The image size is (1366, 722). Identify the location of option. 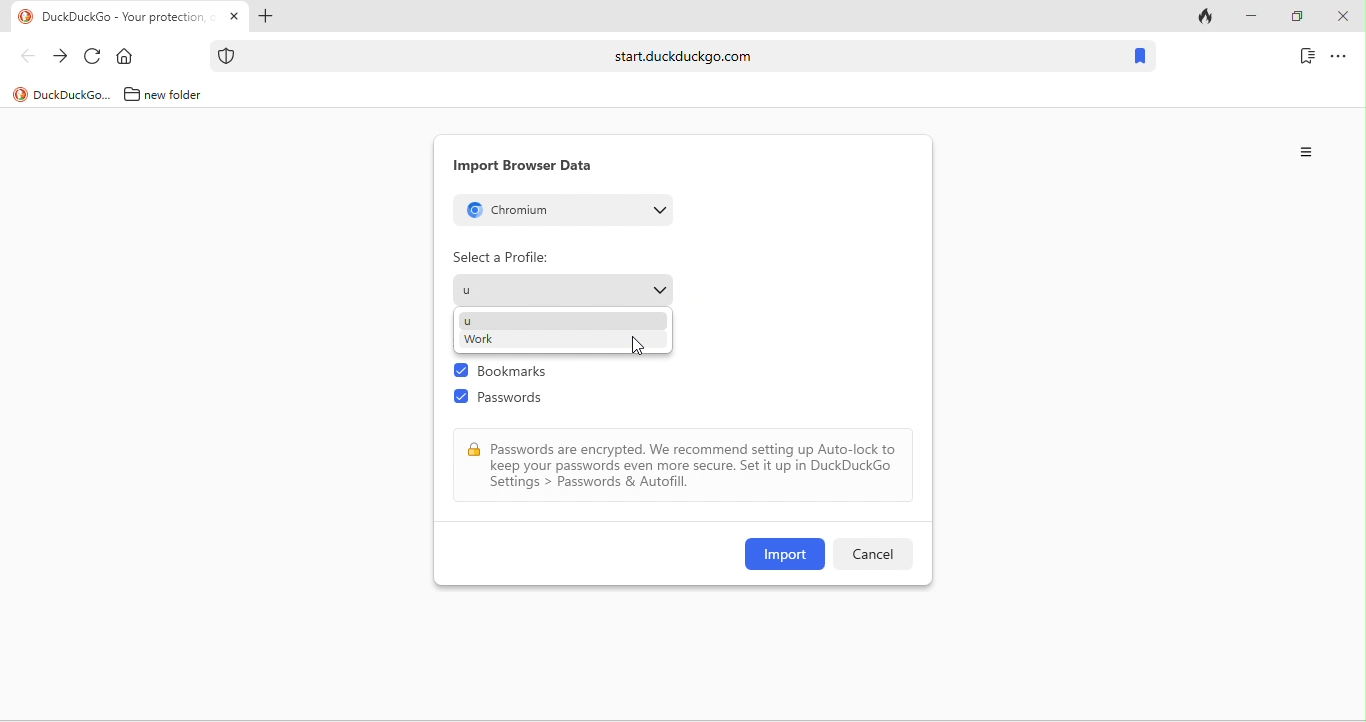
(1308, 152).